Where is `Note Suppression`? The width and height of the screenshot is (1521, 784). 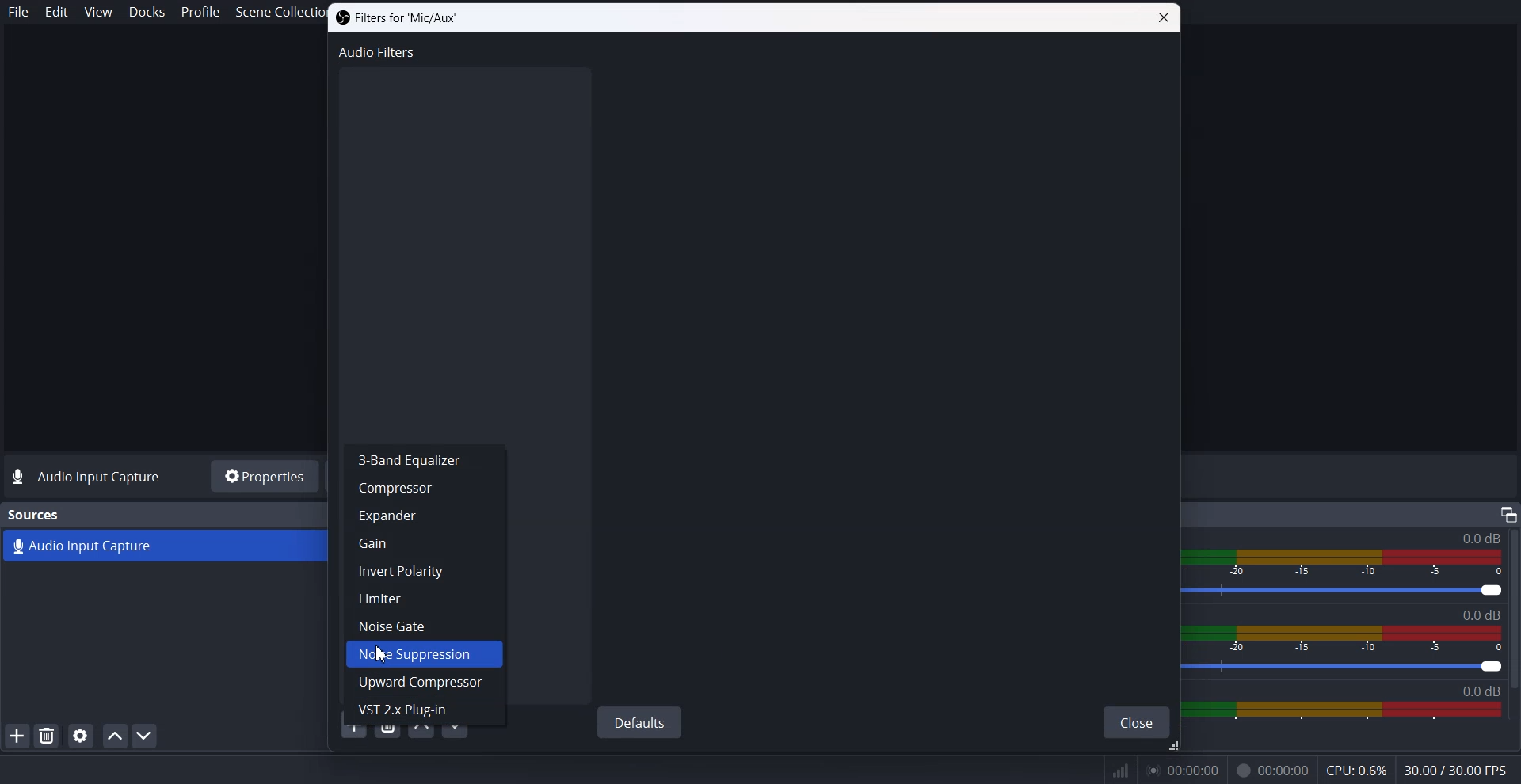 Note Suppression is located at coordinates (423, 654).